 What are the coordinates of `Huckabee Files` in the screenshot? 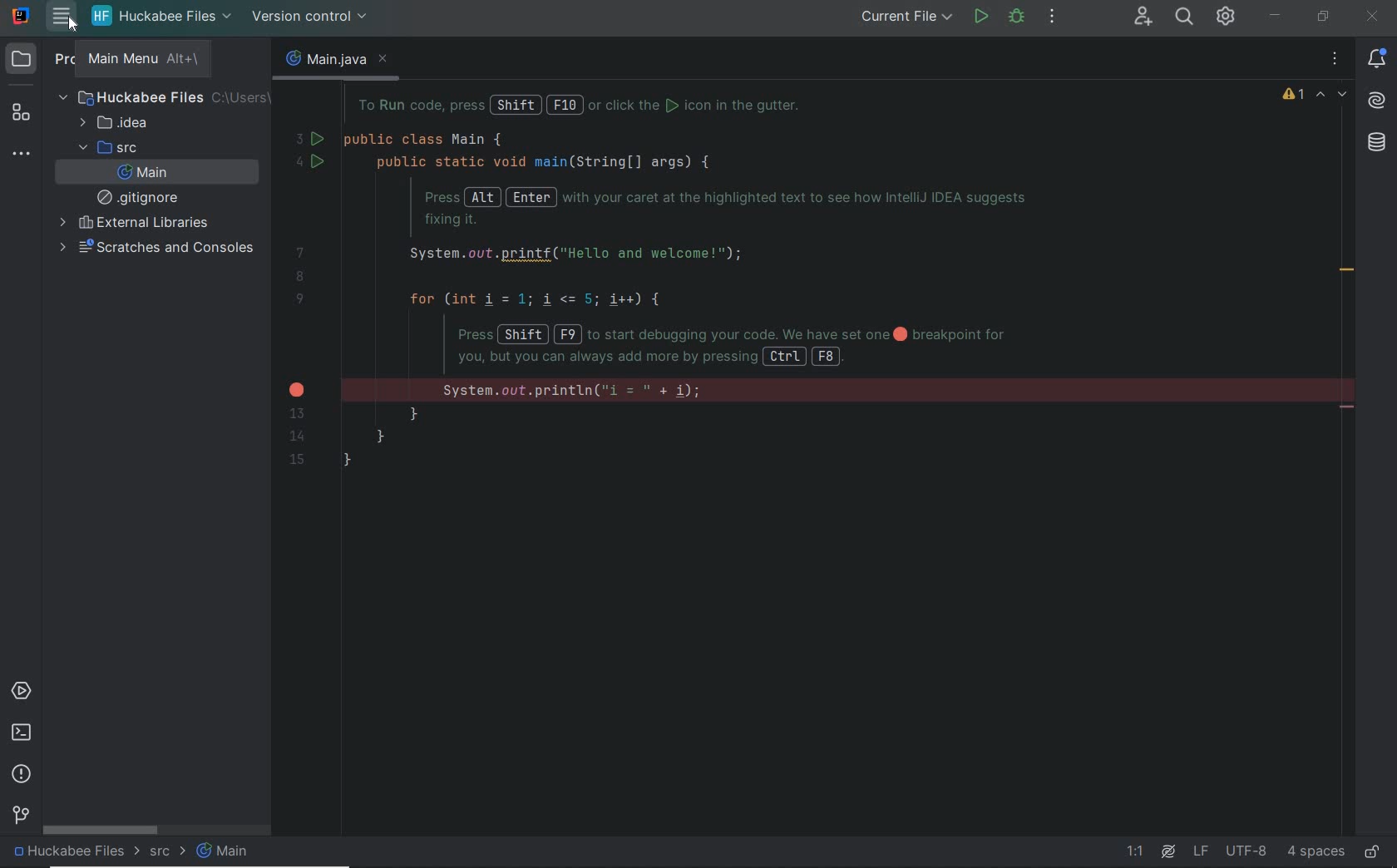 It's located at (158, 96).